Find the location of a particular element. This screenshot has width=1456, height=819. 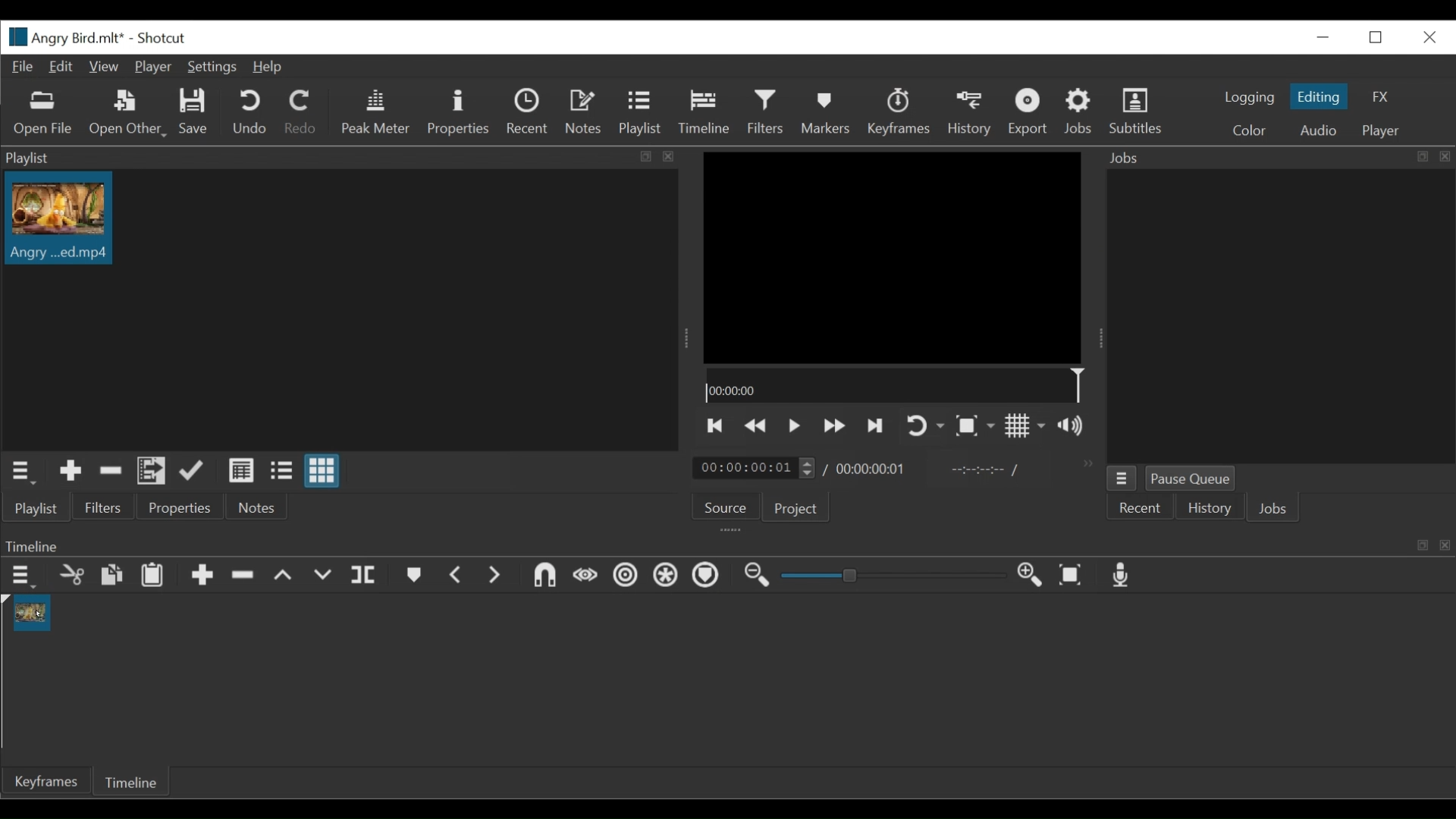

Open Other is located at coordinates (126, 114).